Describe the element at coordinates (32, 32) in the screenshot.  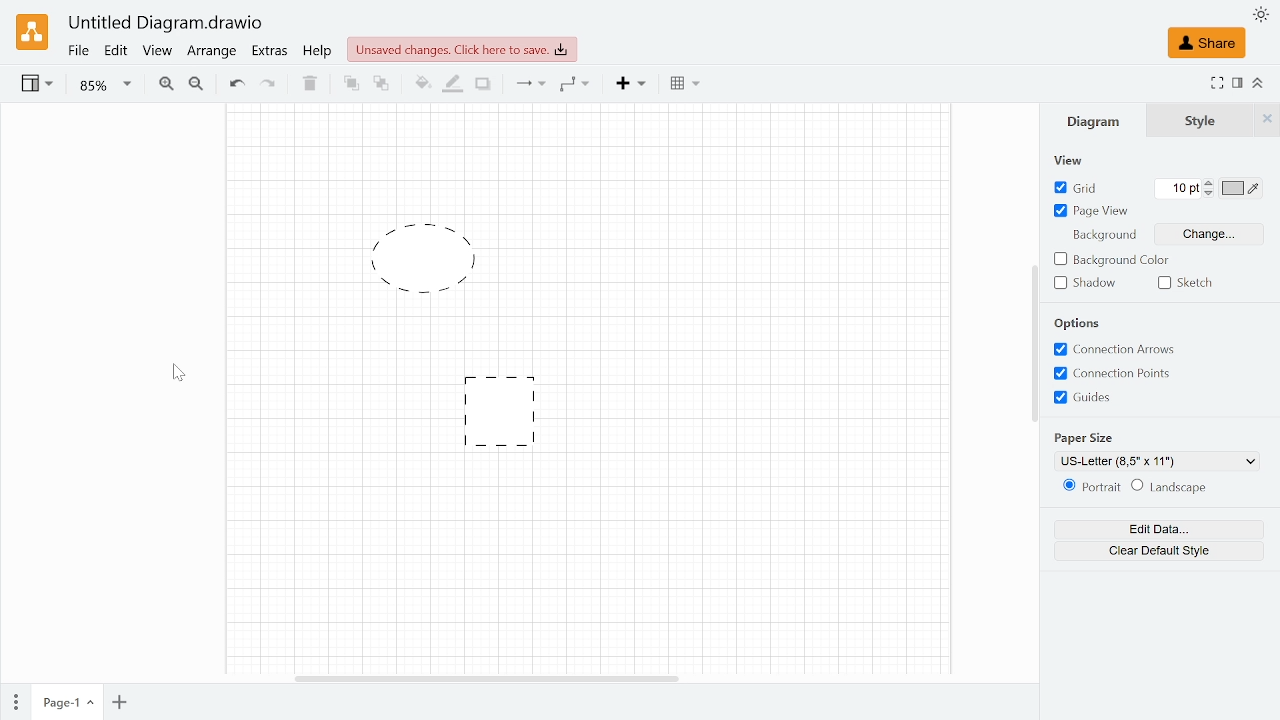
I see `Draw.io logo` at that location.